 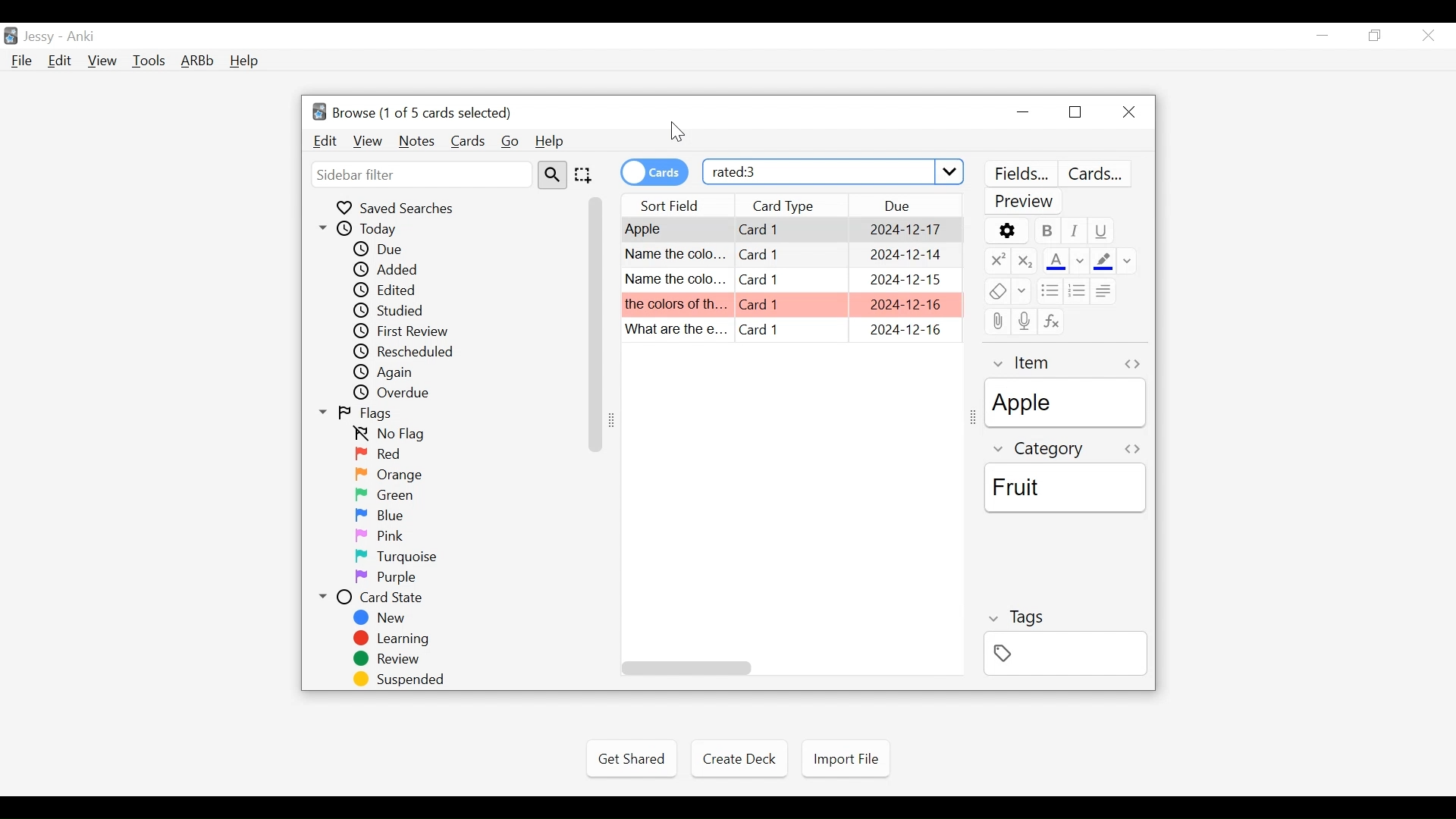 What do you see at coordinates (675, 253) in the screenshot?
I see `Card` at bounding box center [675, 253].